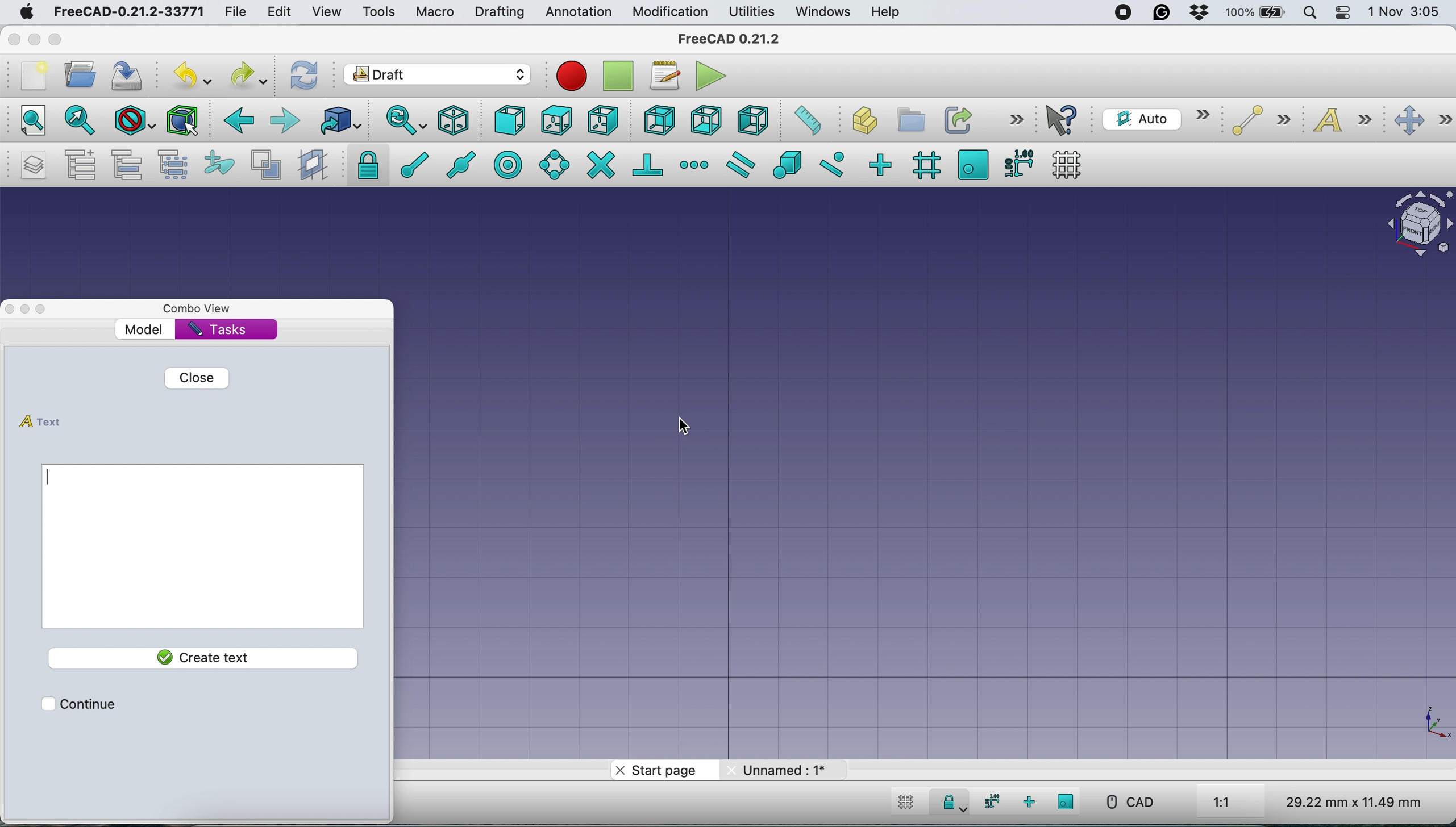 Image resolution: width=1456 pixels, height=827 pixels. I want to click on move, so click(1419, 119).